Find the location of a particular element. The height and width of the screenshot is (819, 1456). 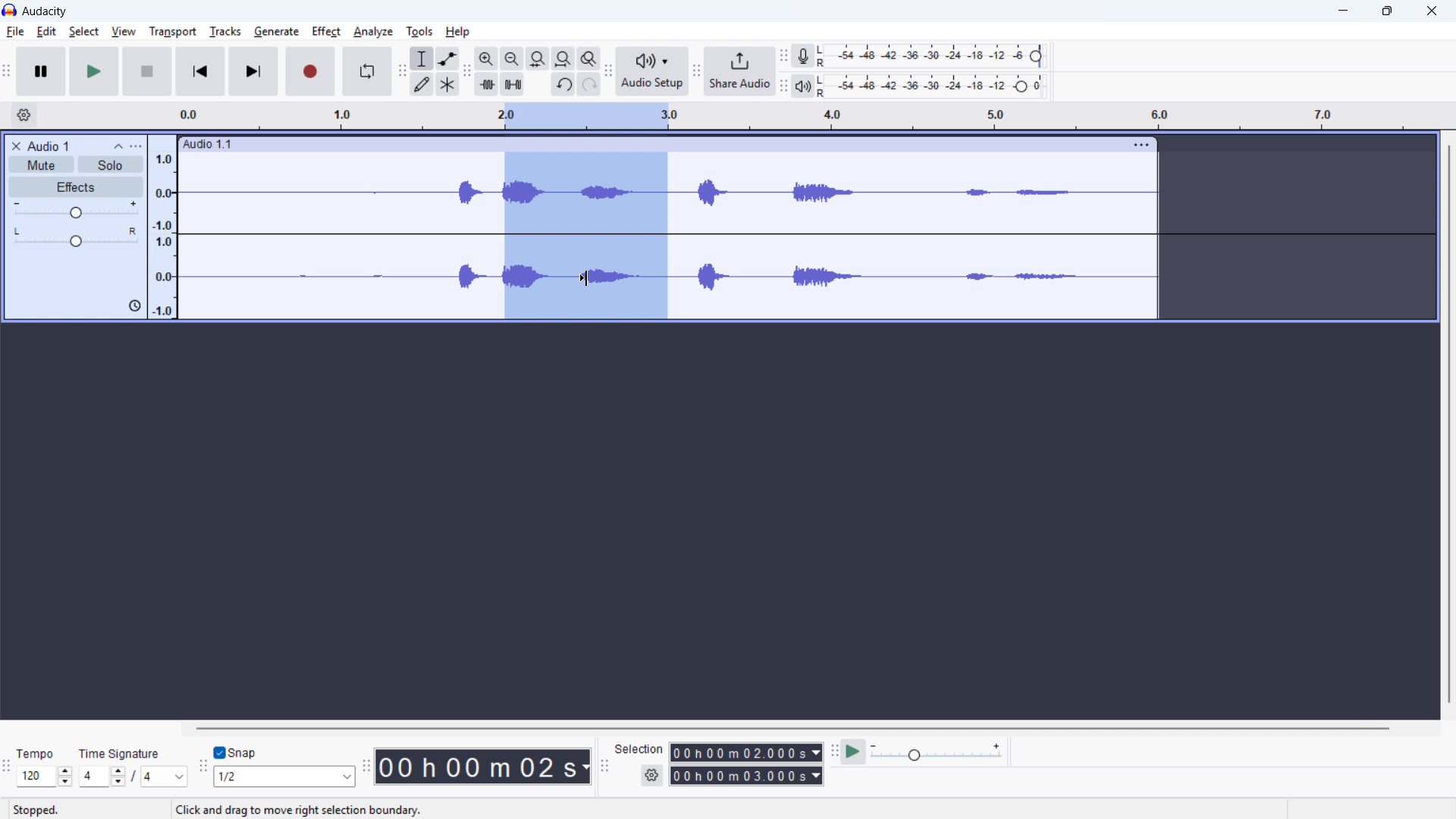

Undo is located at coordinates (563, 84).